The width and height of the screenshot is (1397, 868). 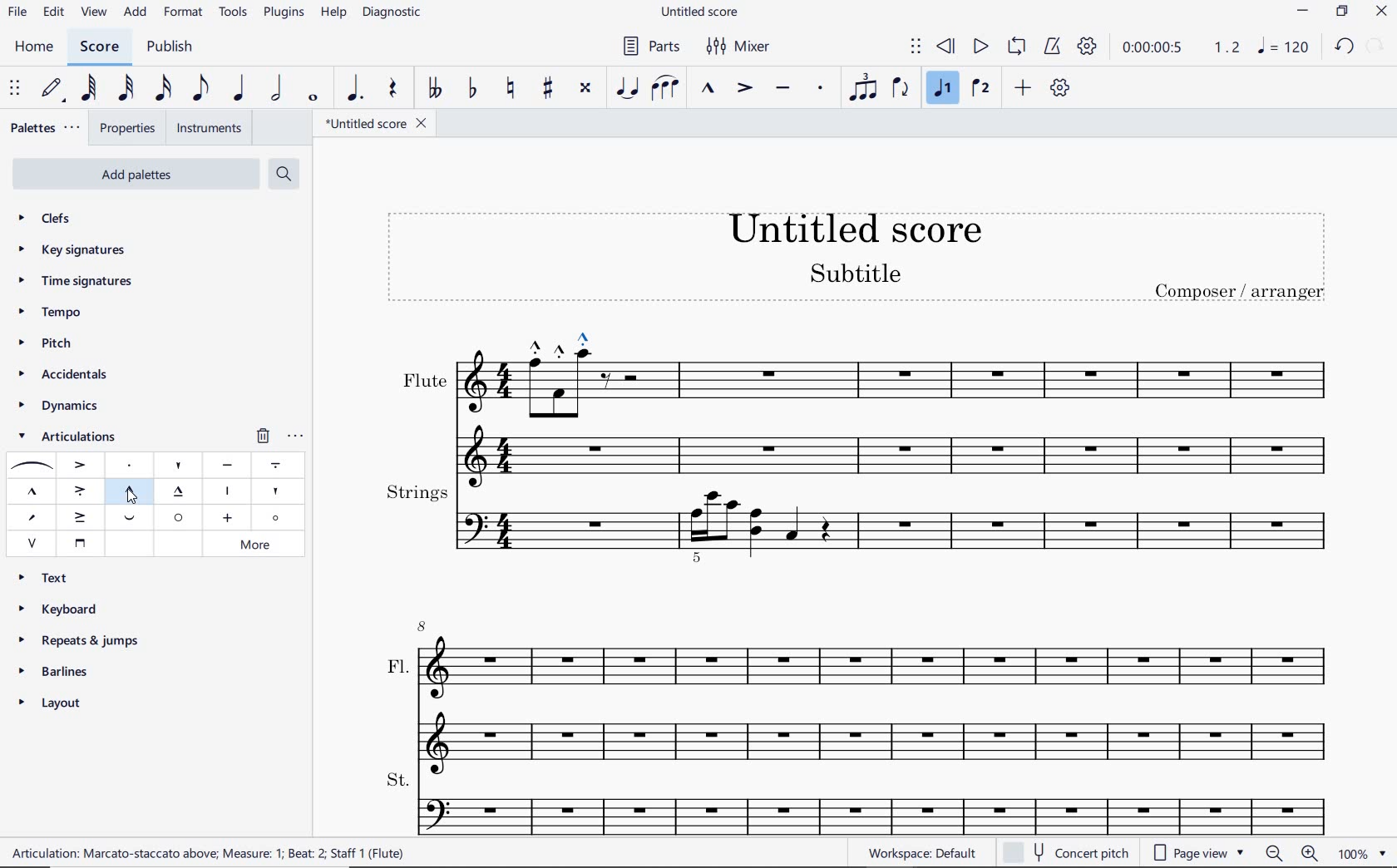 What do you see at coordinates (52, 706) in the screenshot?
I see `layout` at bounding box center [52, 706].